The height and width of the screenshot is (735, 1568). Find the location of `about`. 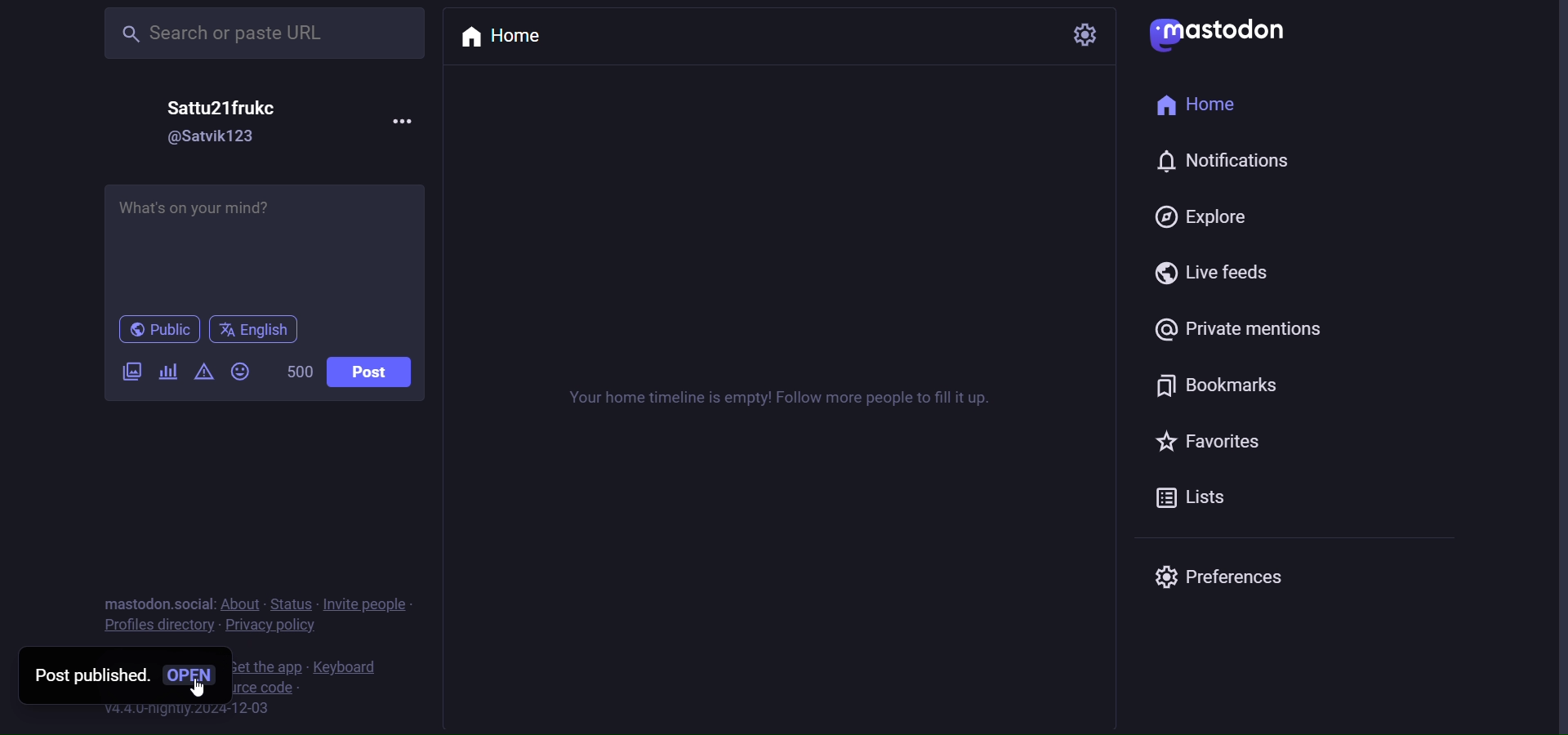

about is located at coordinates (243, 601).